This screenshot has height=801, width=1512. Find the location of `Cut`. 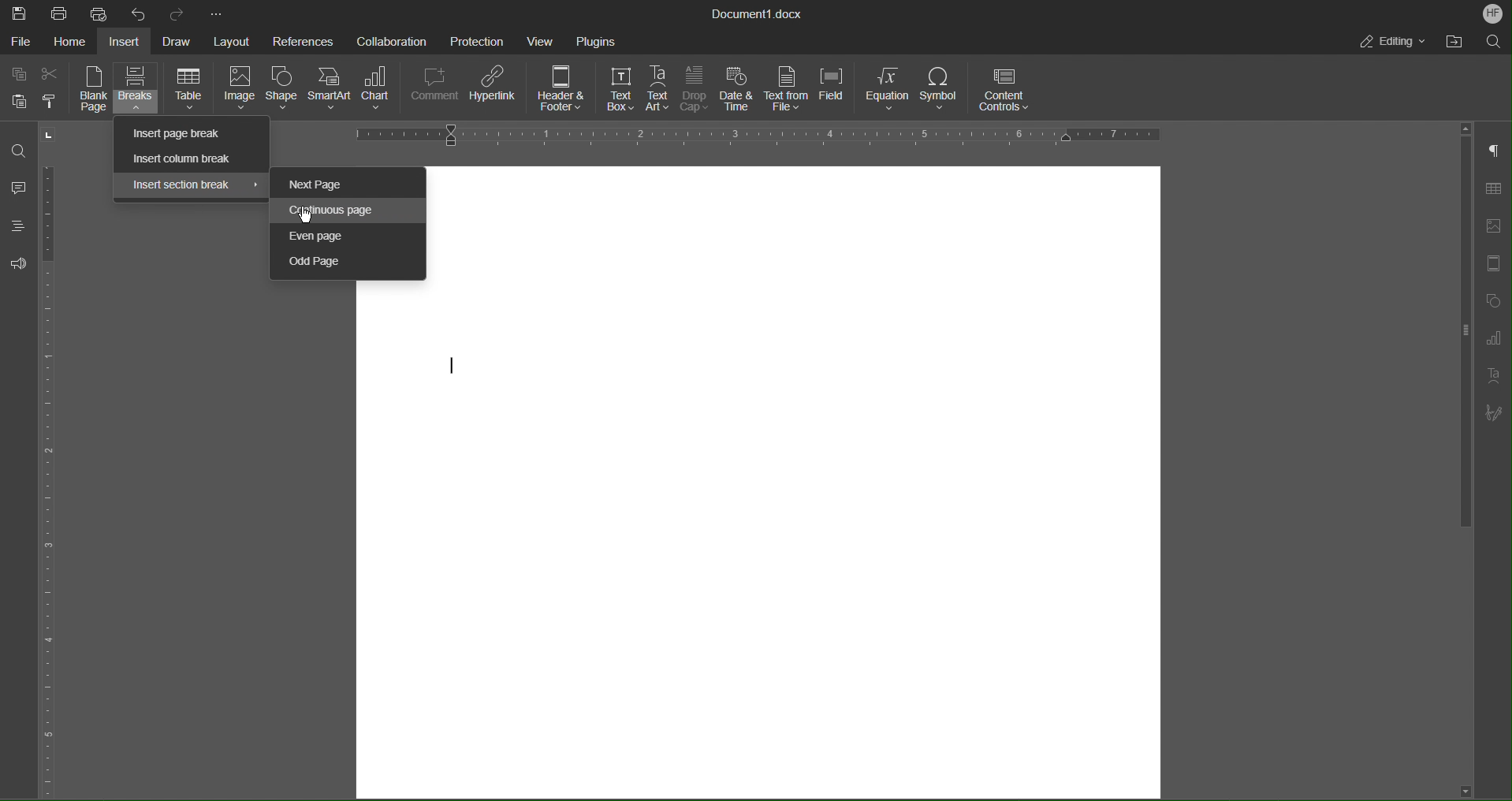

Cut is located at coordinates (51, 74).